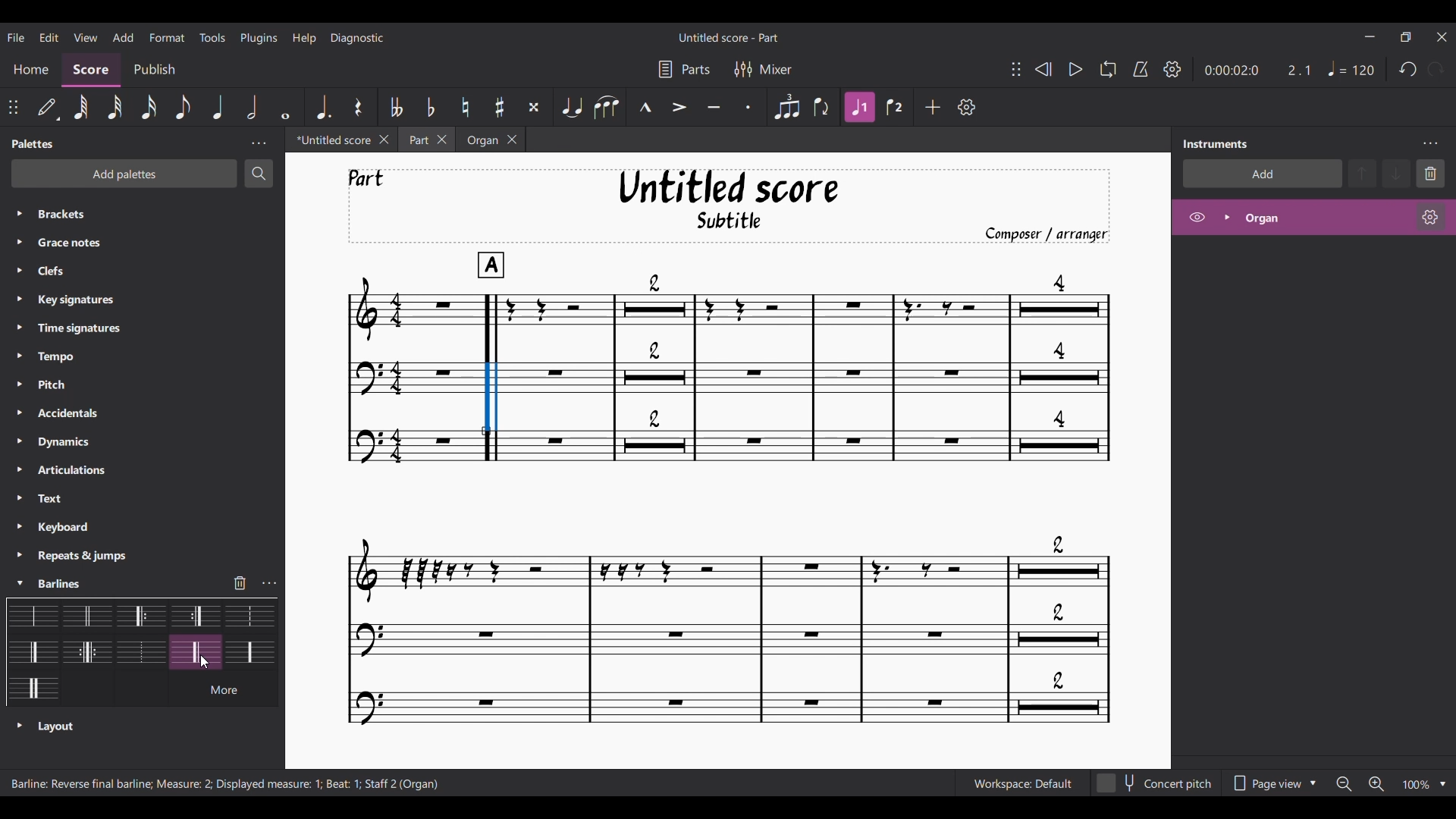  I want to click on Show interface in a smaller tab, so click(1406, 36).